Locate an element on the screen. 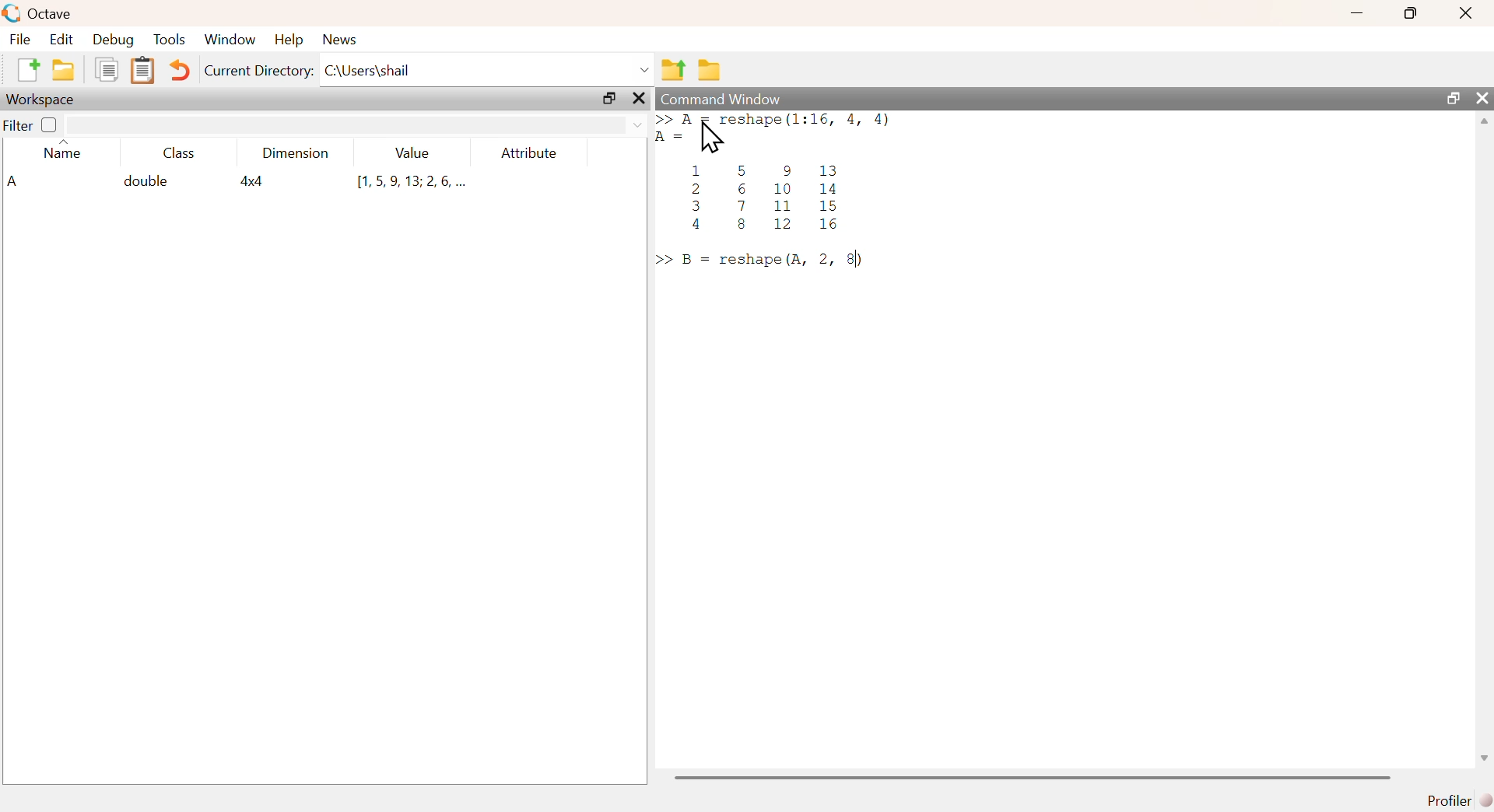 The image size is (1494, 812). workspace is located at coordinates (46, 100).